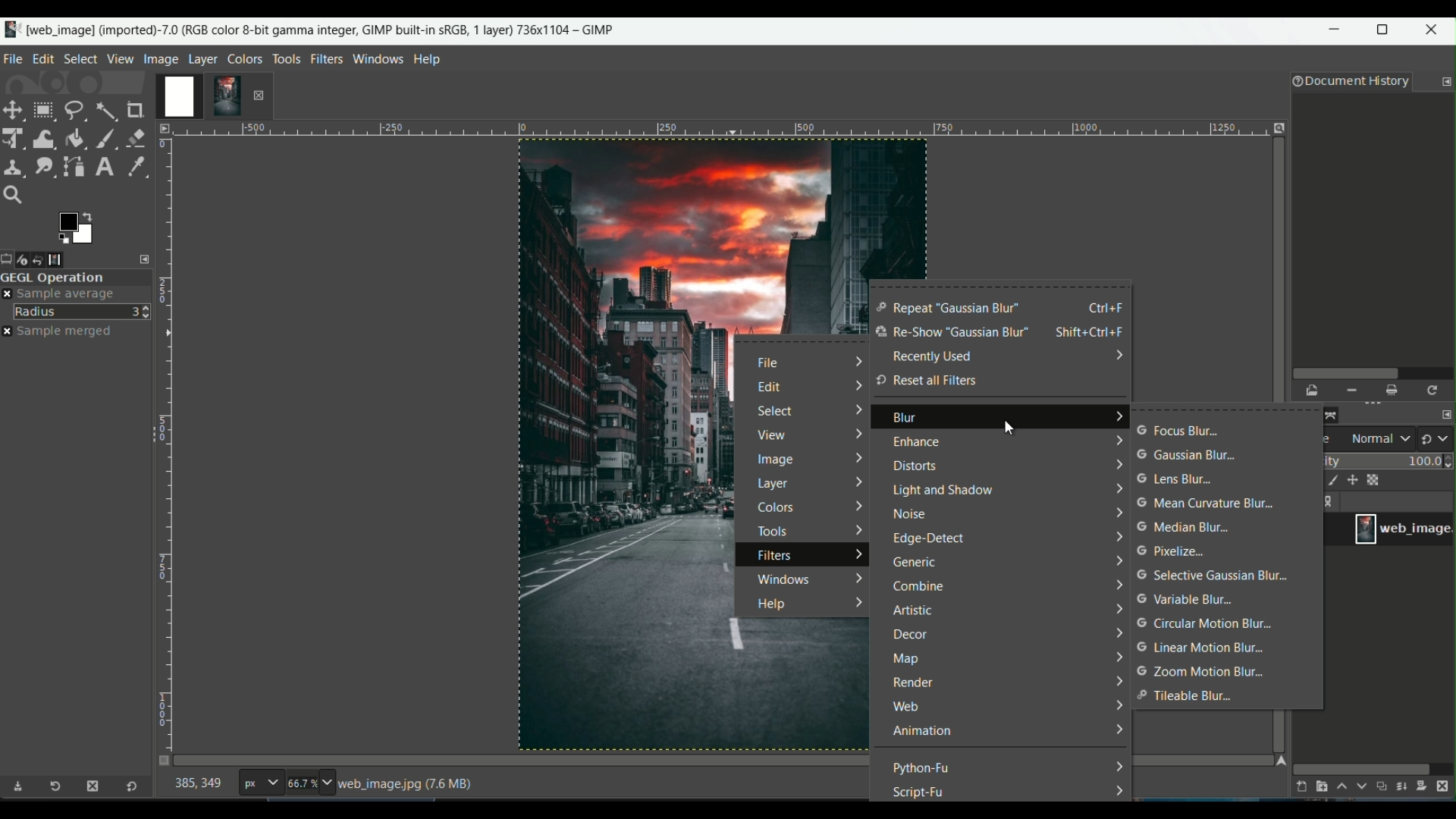 Image resolution: width=1456 pixels, height=819 pixels. What do you see at coordinates (1389, 460) in the screenshot?
I see `opacity` at bounding box center [1389, 460].